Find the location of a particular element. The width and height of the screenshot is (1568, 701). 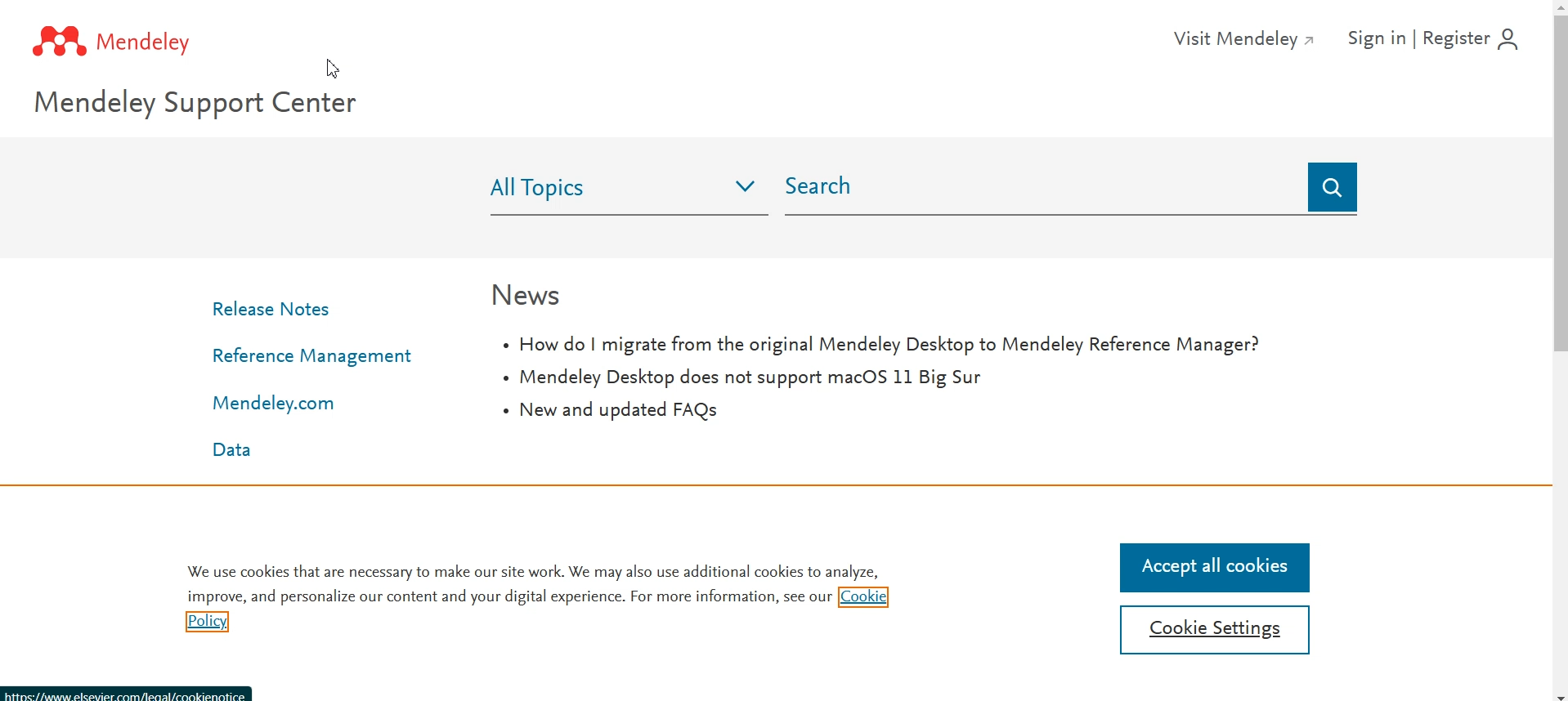

Mendeley is located at coordinates (127, 38).